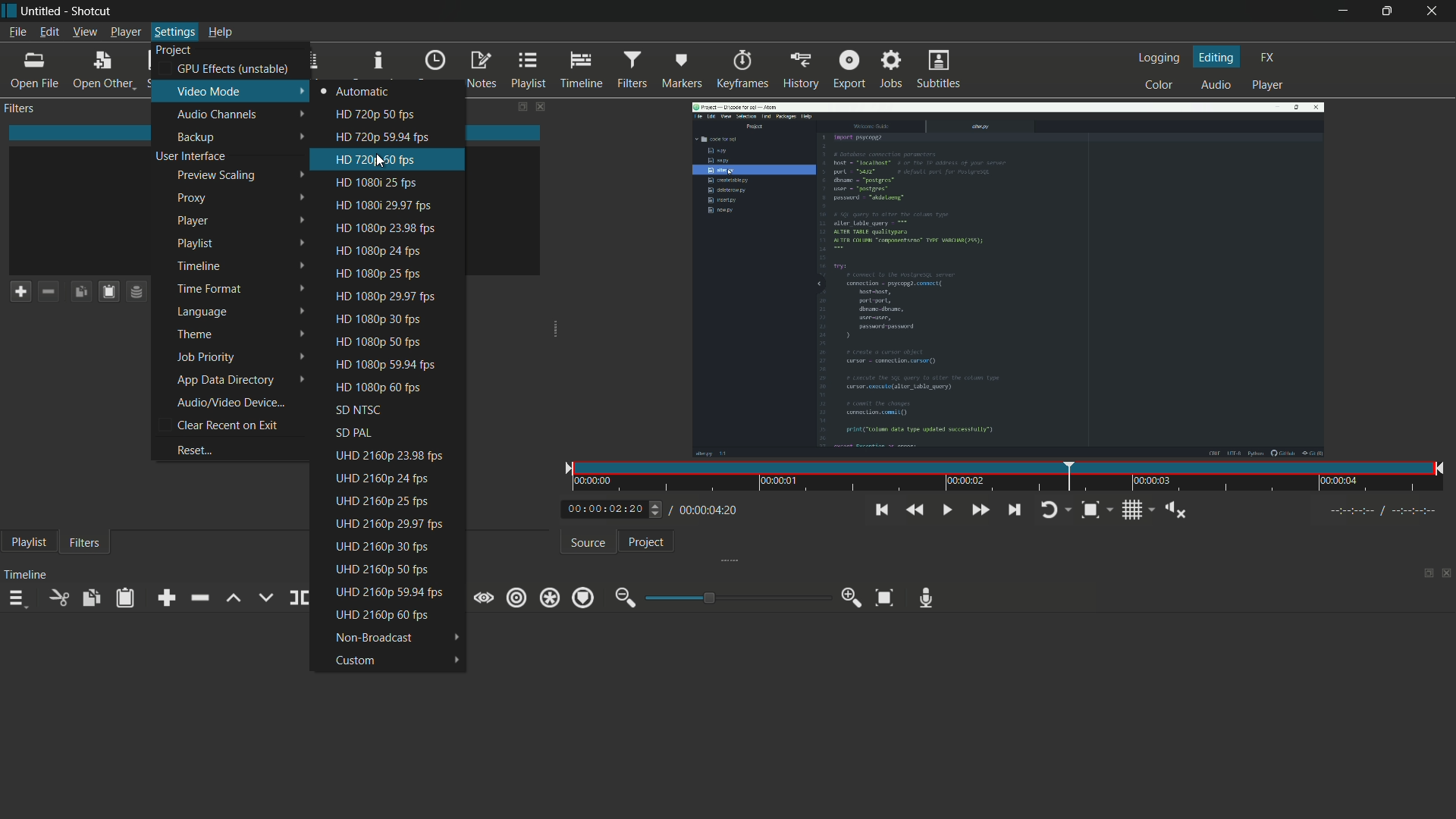  Describe the element at coordinates (240, 425) in the screenshot. I see `clear recent on exit` at that location.